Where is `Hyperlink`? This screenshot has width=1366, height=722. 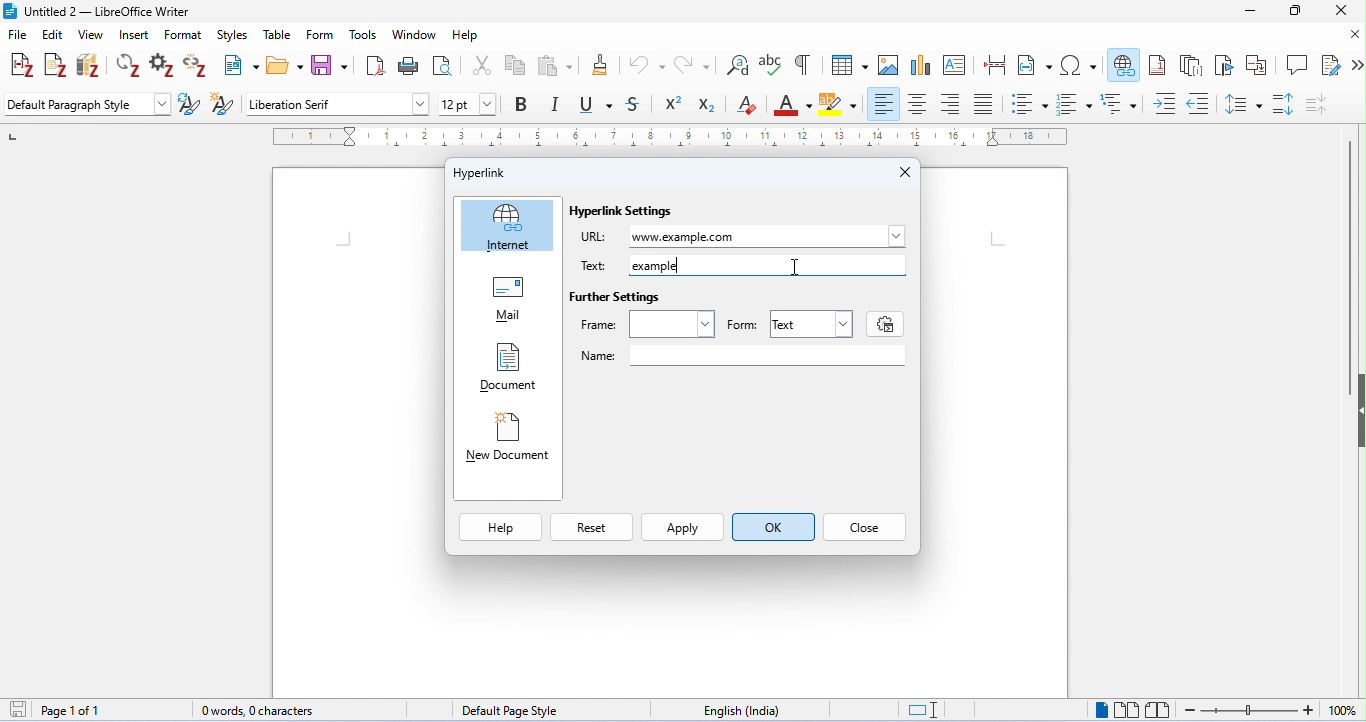 Hyperlink is located at coordinates (483, 171).